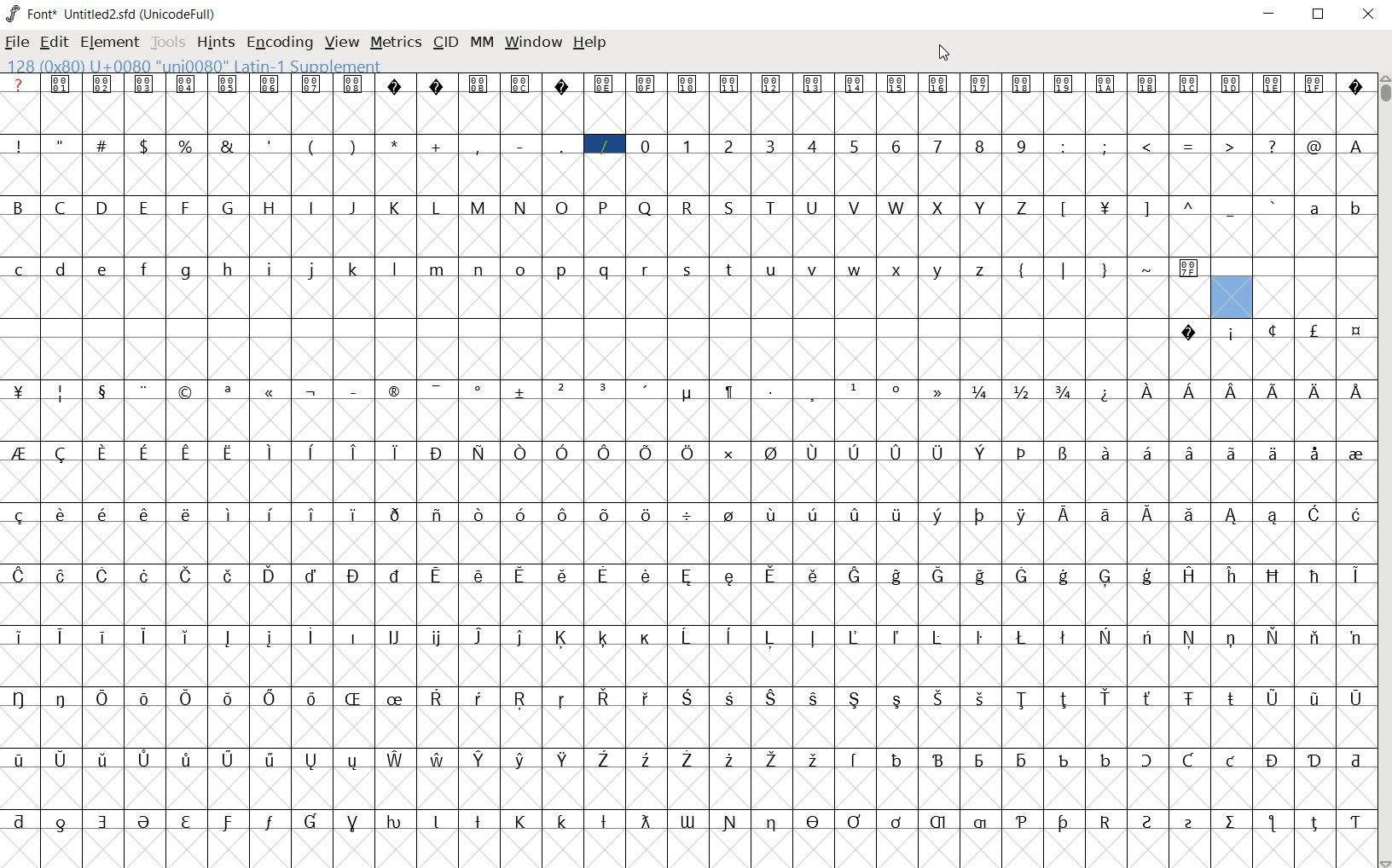  What do you see at coordinates (1232, 392) in the screenshot?
I see `glyph` at bounding box center [1232, 392].